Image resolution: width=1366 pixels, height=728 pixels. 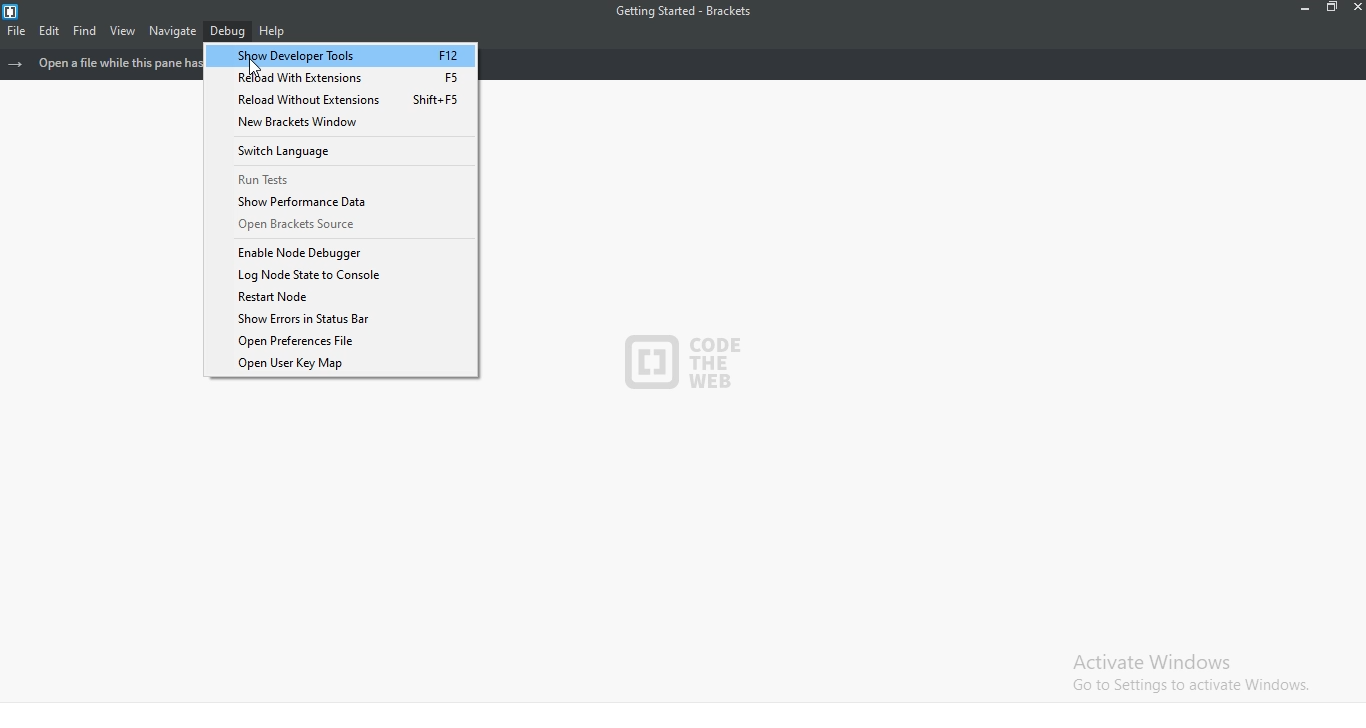 What do you see at coordinates (339, 202) in the screenshot?
I see `Show Performance Data` at bounding box center [339, 202].